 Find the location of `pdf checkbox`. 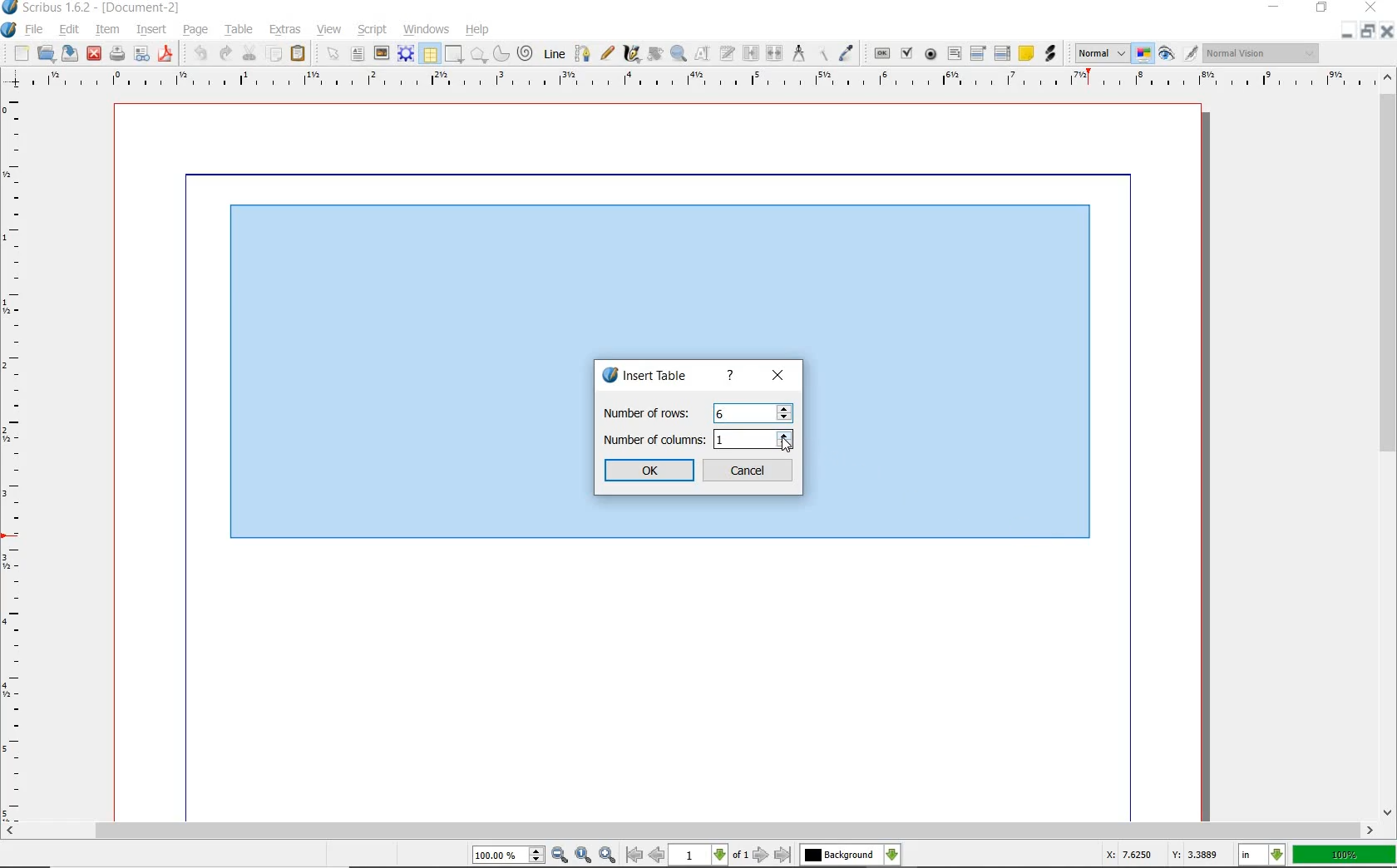

pdf checkbox is located at coordinates (905, 53).